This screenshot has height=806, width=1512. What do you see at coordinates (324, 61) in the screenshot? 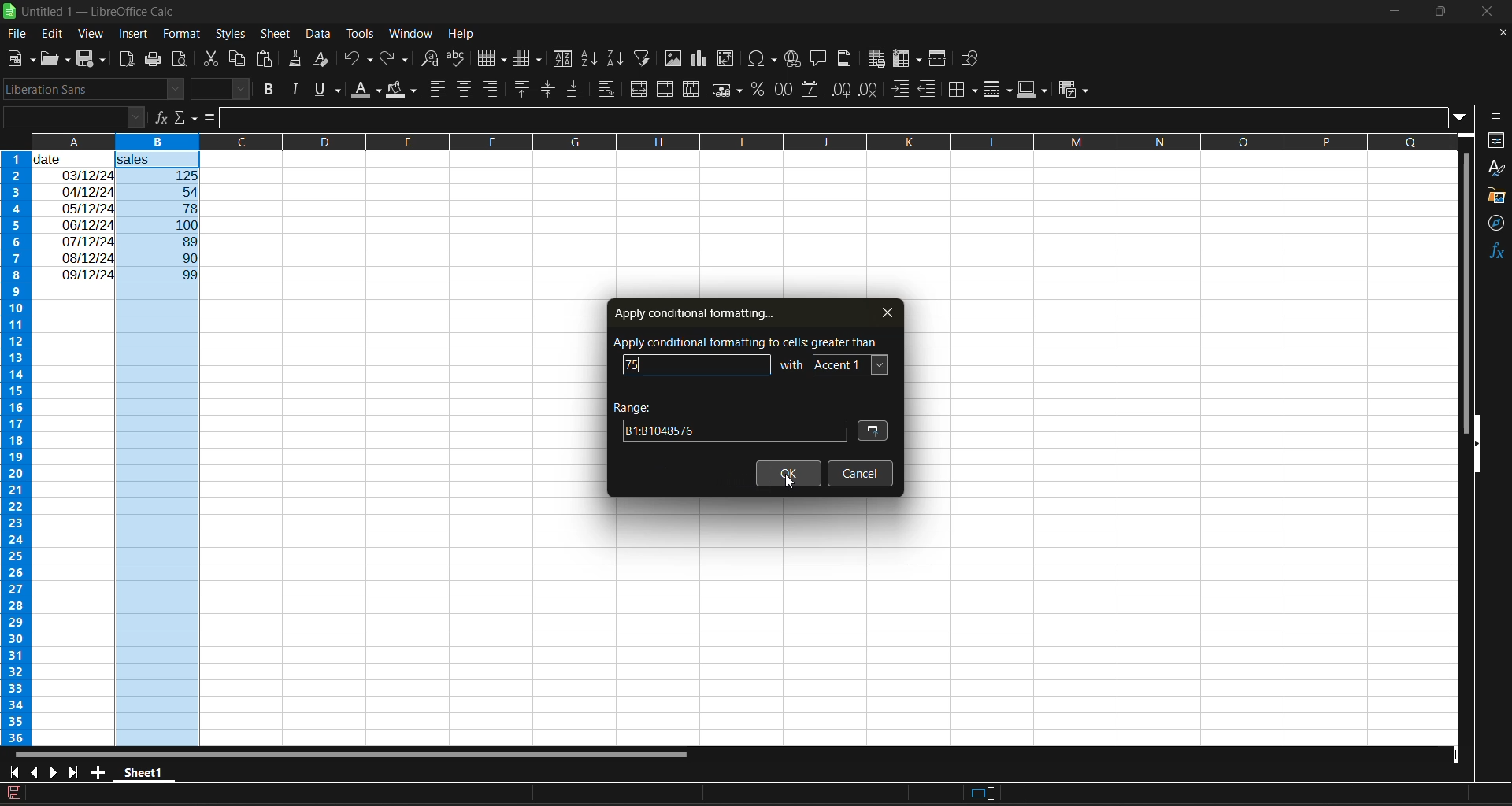
I see `clear direct formatting` at bounding box center [324, 61].